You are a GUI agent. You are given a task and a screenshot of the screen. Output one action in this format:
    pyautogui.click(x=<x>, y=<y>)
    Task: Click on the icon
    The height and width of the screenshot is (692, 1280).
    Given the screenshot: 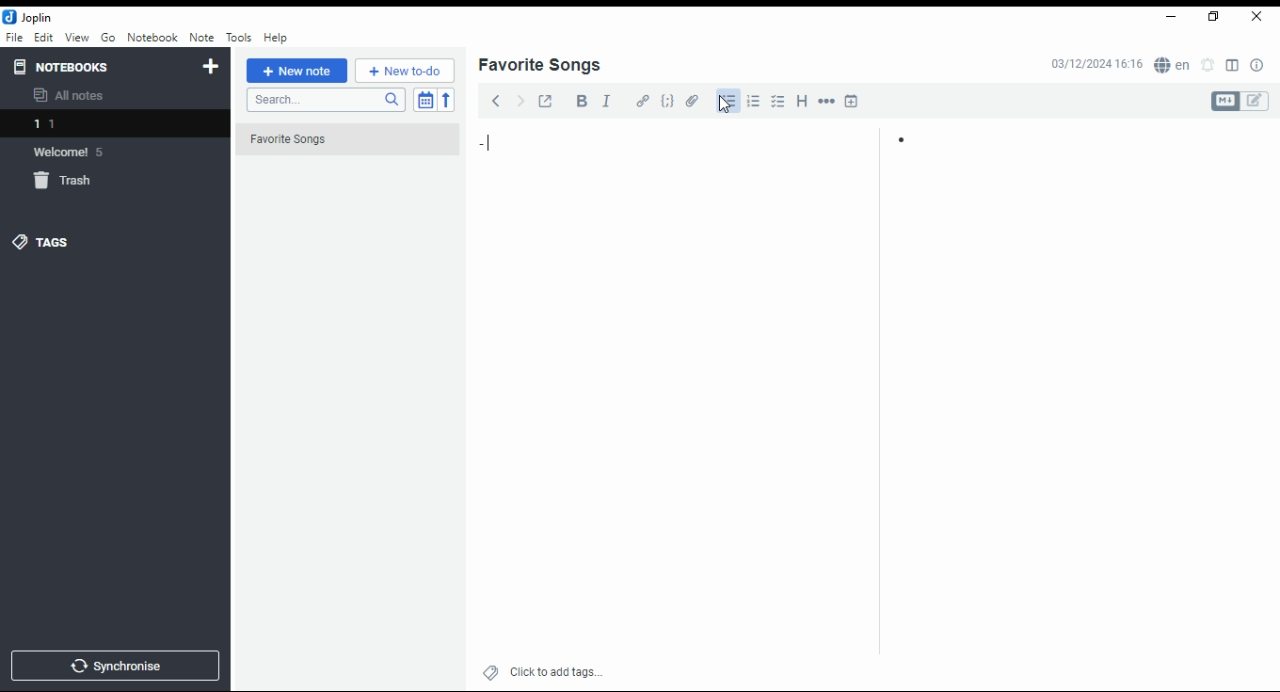 What is the action you would take?
    pyautogui.click(x=30, y=17)
    